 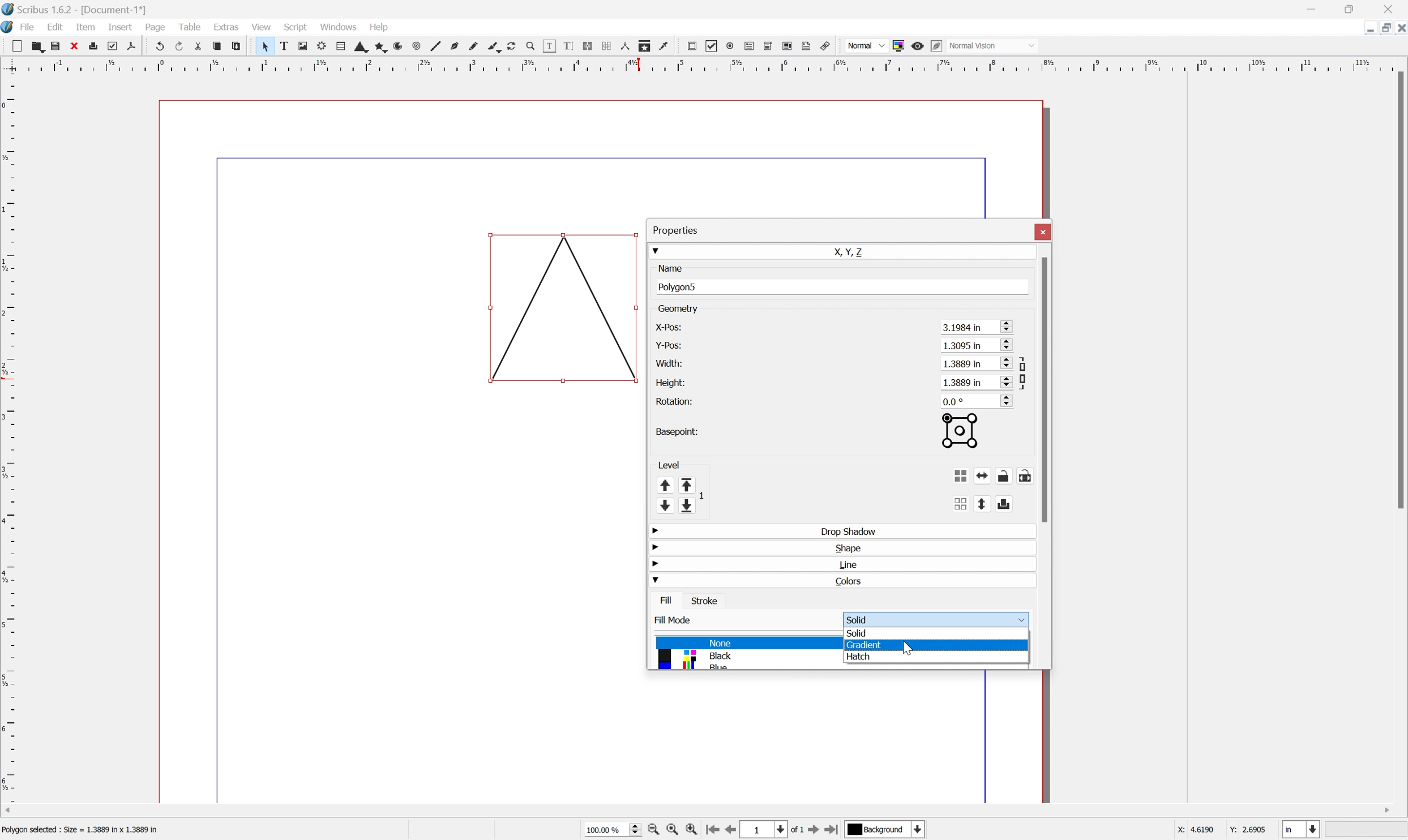 I want to click on File, so click(x=27, y=26).